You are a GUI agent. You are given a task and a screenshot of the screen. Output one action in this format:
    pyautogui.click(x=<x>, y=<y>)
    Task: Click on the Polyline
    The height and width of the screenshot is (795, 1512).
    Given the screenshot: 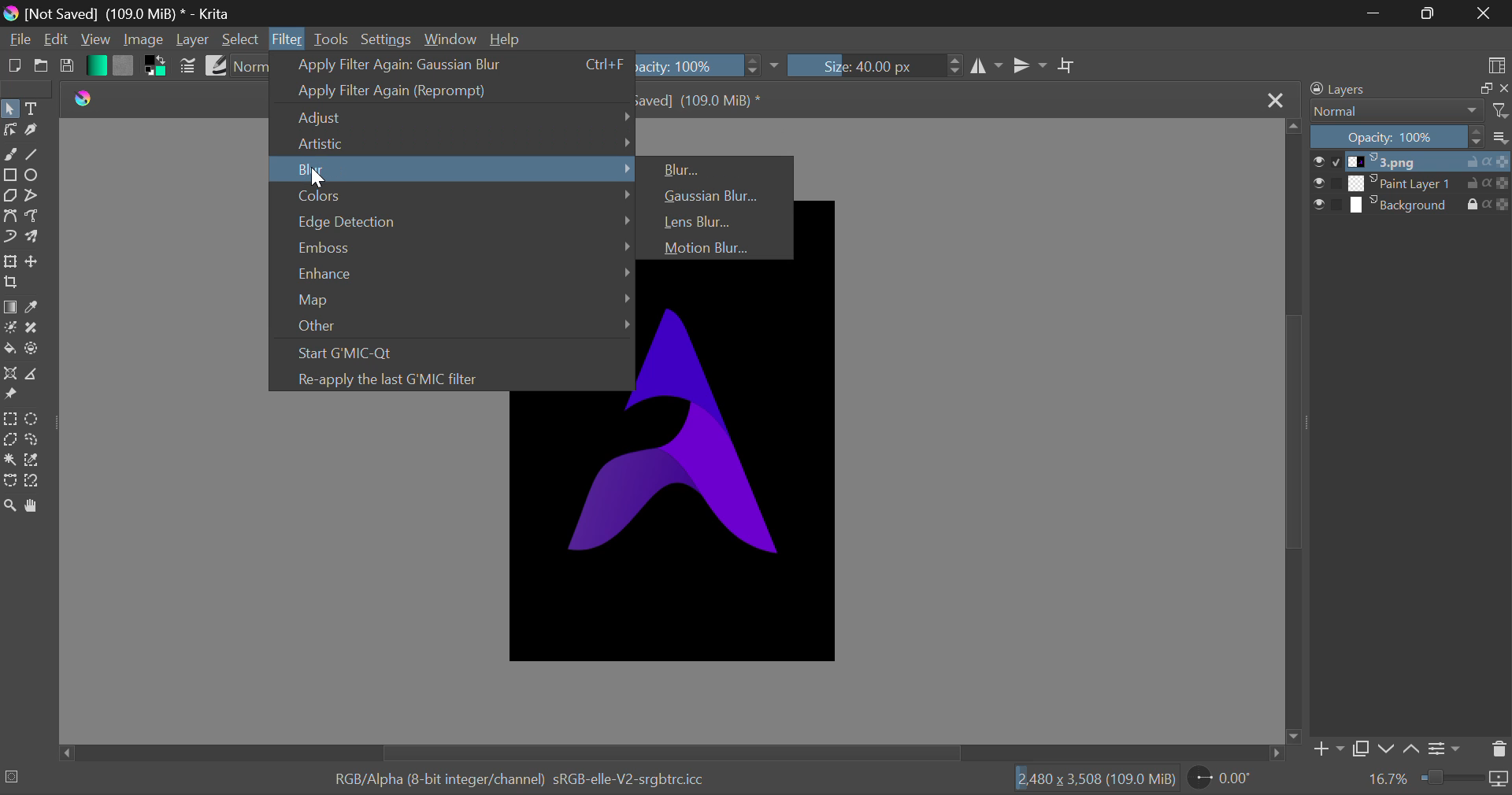 What is the action you would take?
    pyautogui.click(x=33, y=196)
    